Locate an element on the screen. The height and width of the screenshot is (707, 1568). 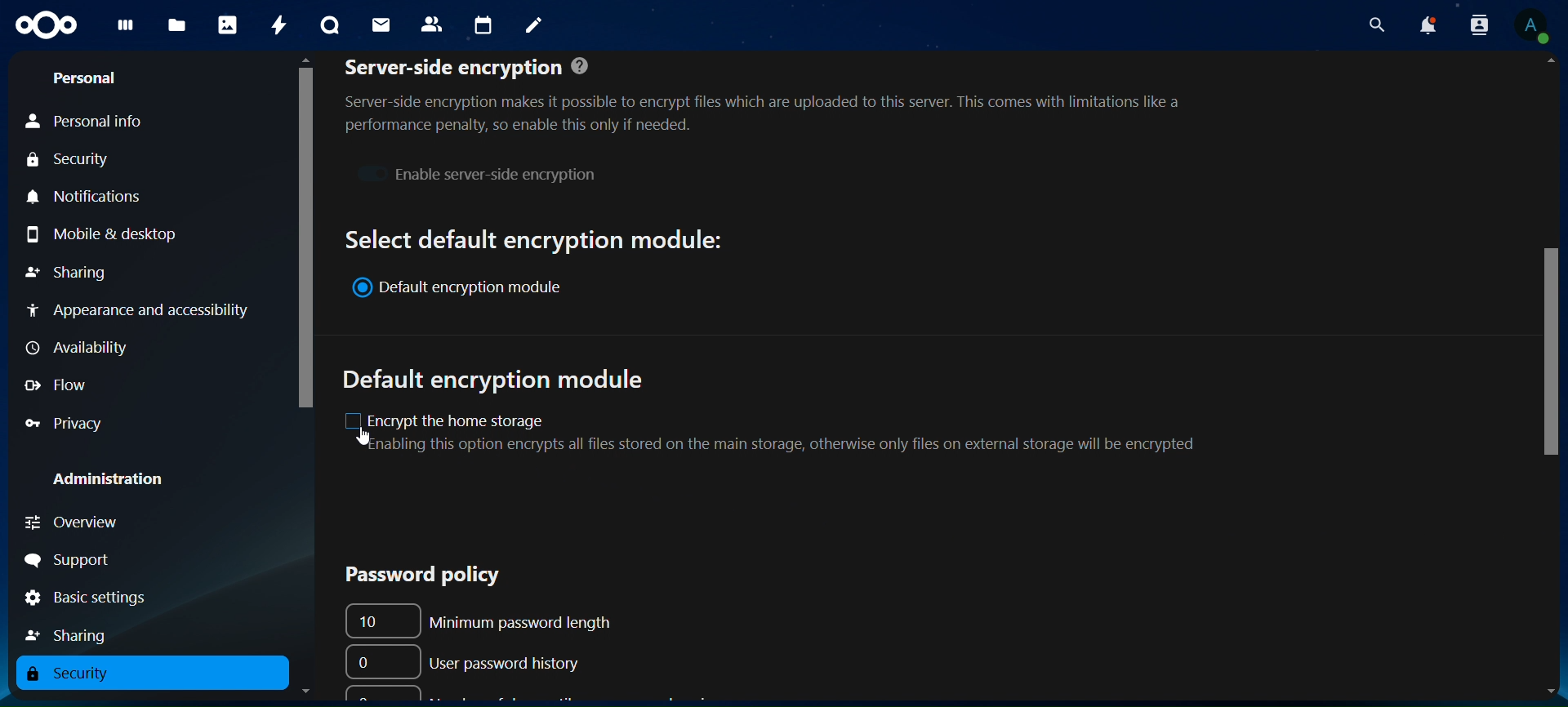
notes is located at coordinates (529, 23).